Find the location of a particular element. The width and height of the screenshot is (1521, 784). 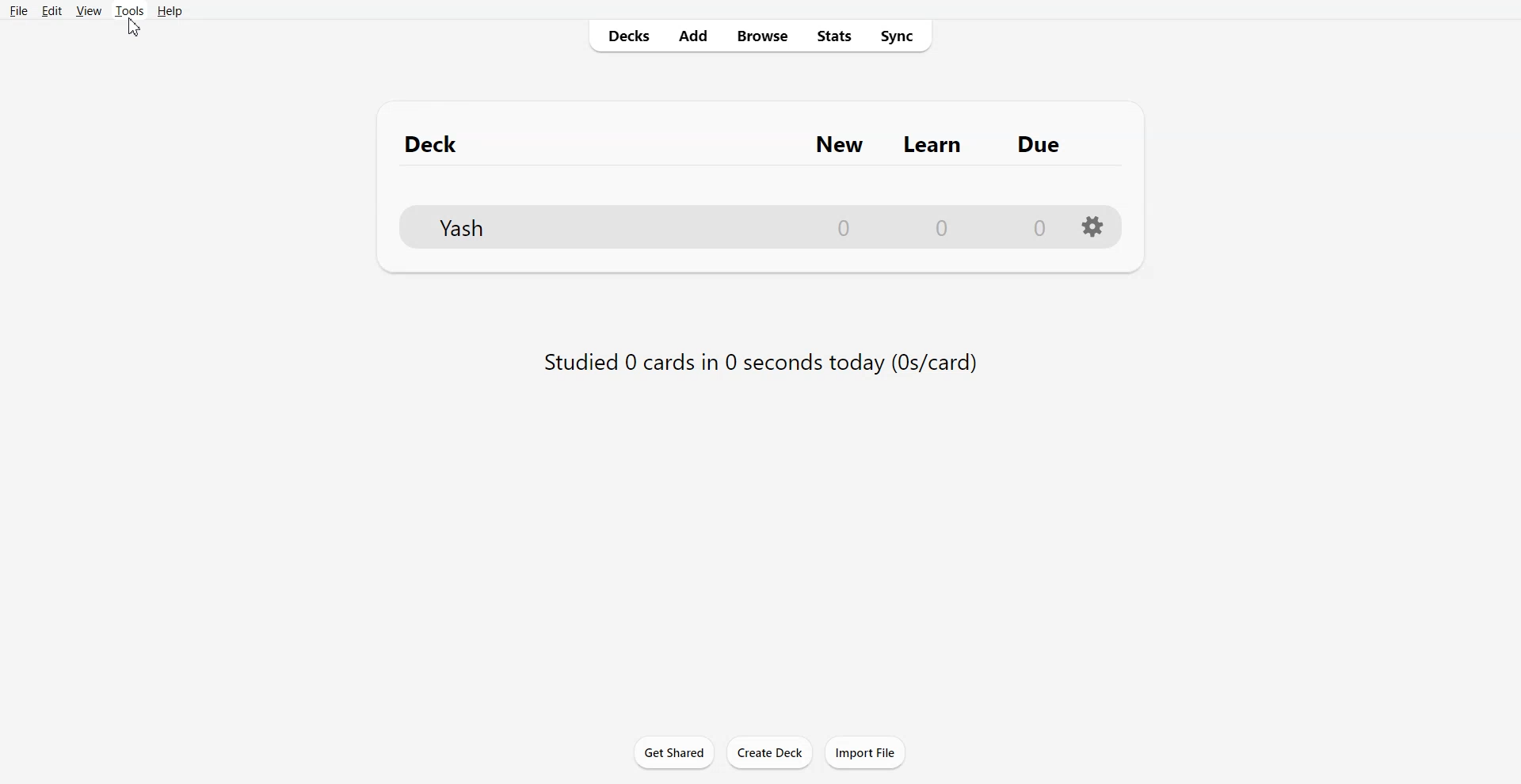

Learn is located at coordinates (935, 145).